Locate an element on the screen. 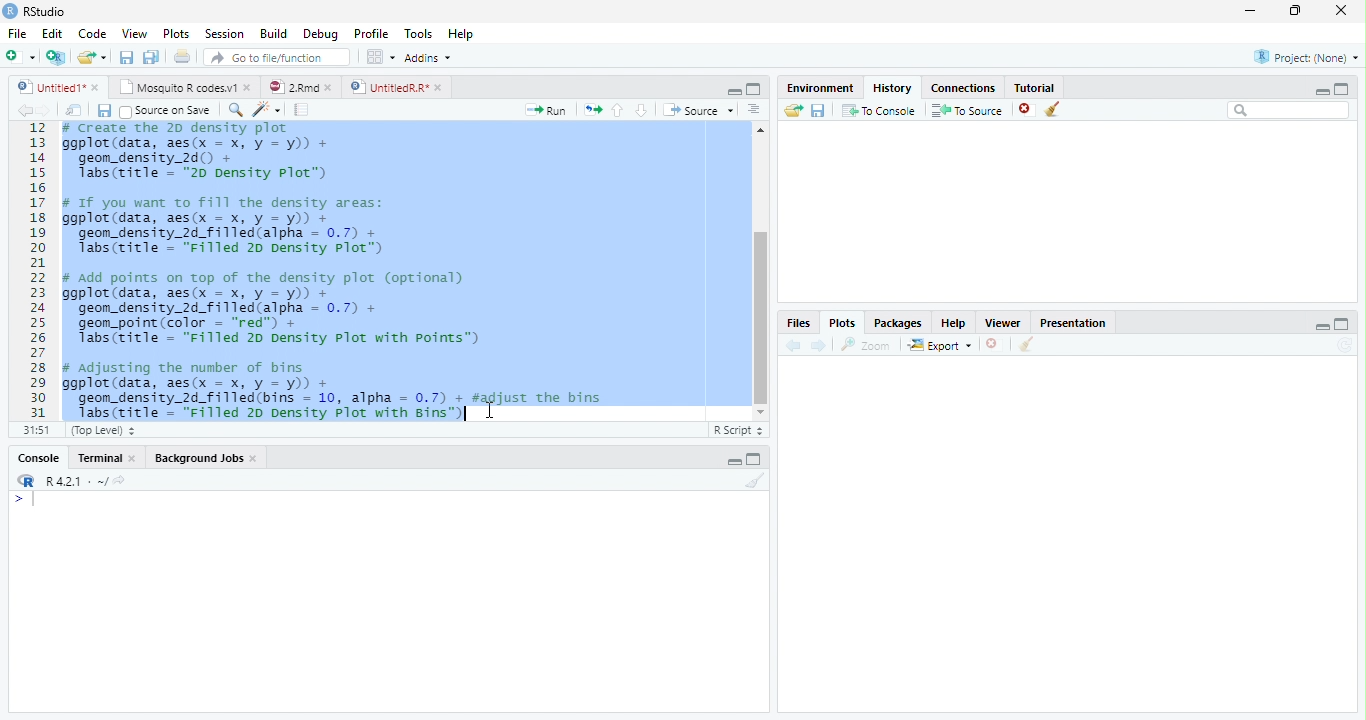 The width and height of the screenshot is (1366, 720). Console is located at coordinates (38, 459).